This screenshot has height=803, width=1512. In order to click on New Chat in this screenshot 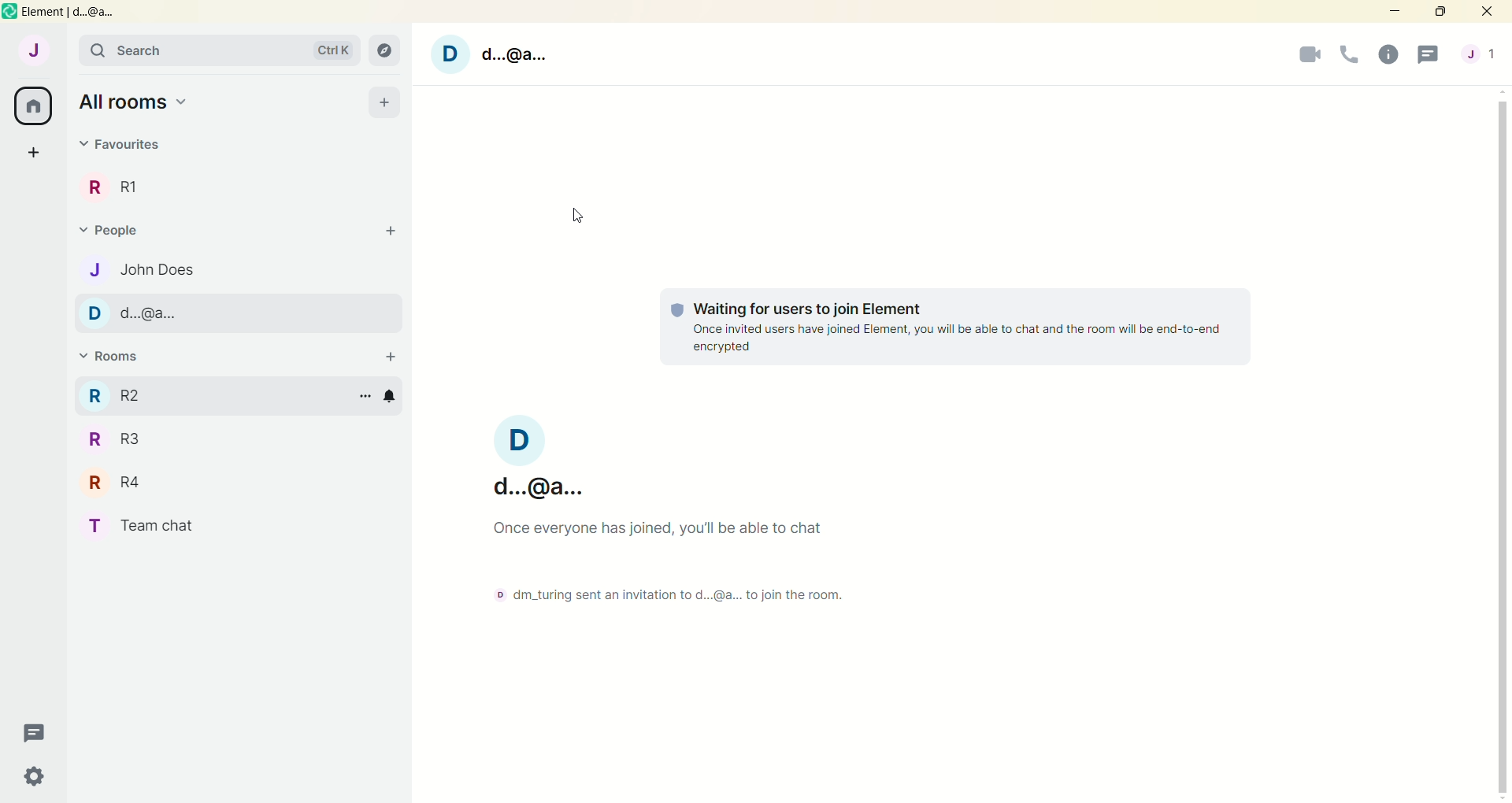, I will do `click(34, 730)`.